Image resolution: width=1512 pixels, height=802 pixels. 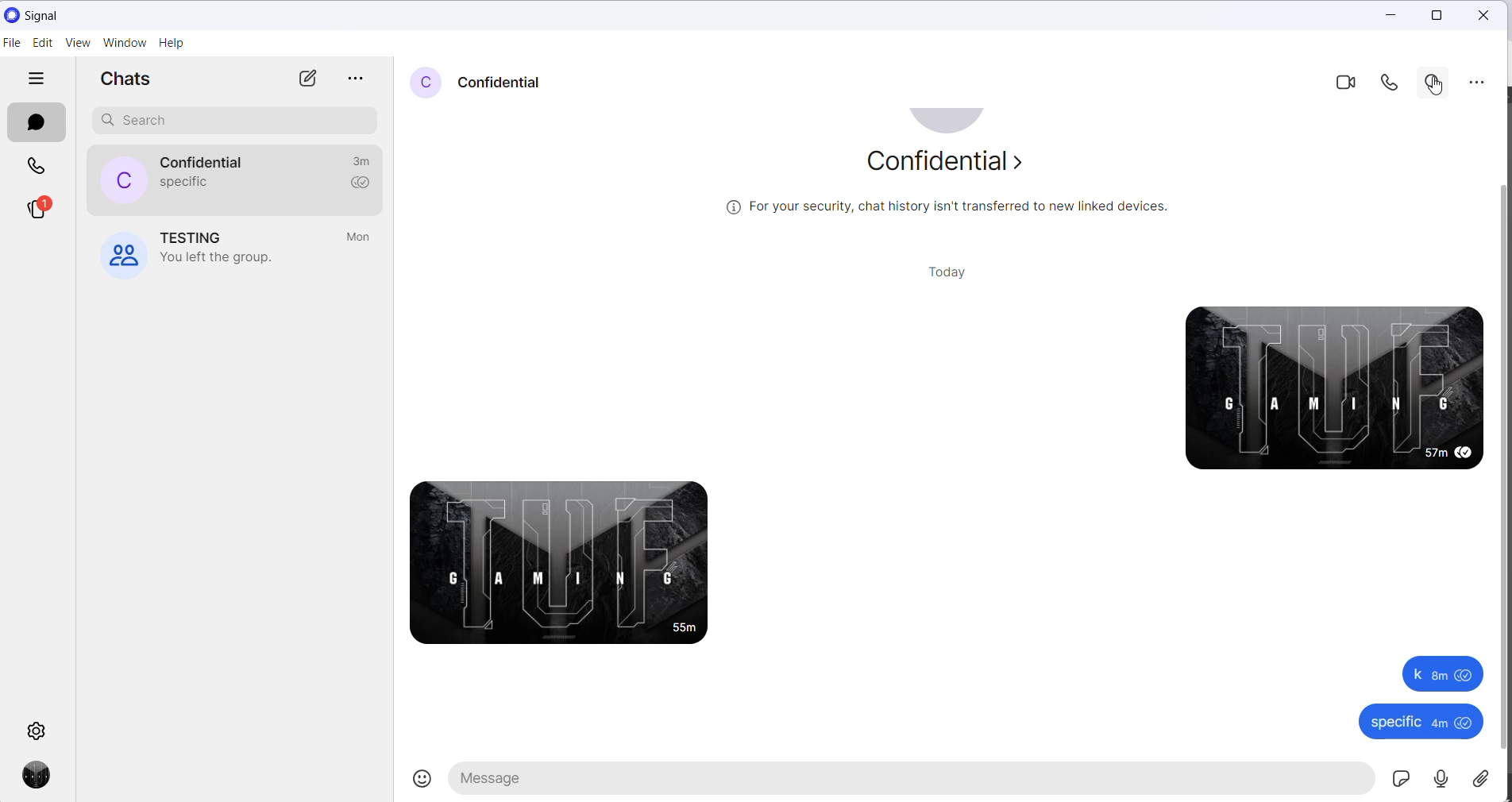 I want to click on security related text, so click(x=956, y=210).